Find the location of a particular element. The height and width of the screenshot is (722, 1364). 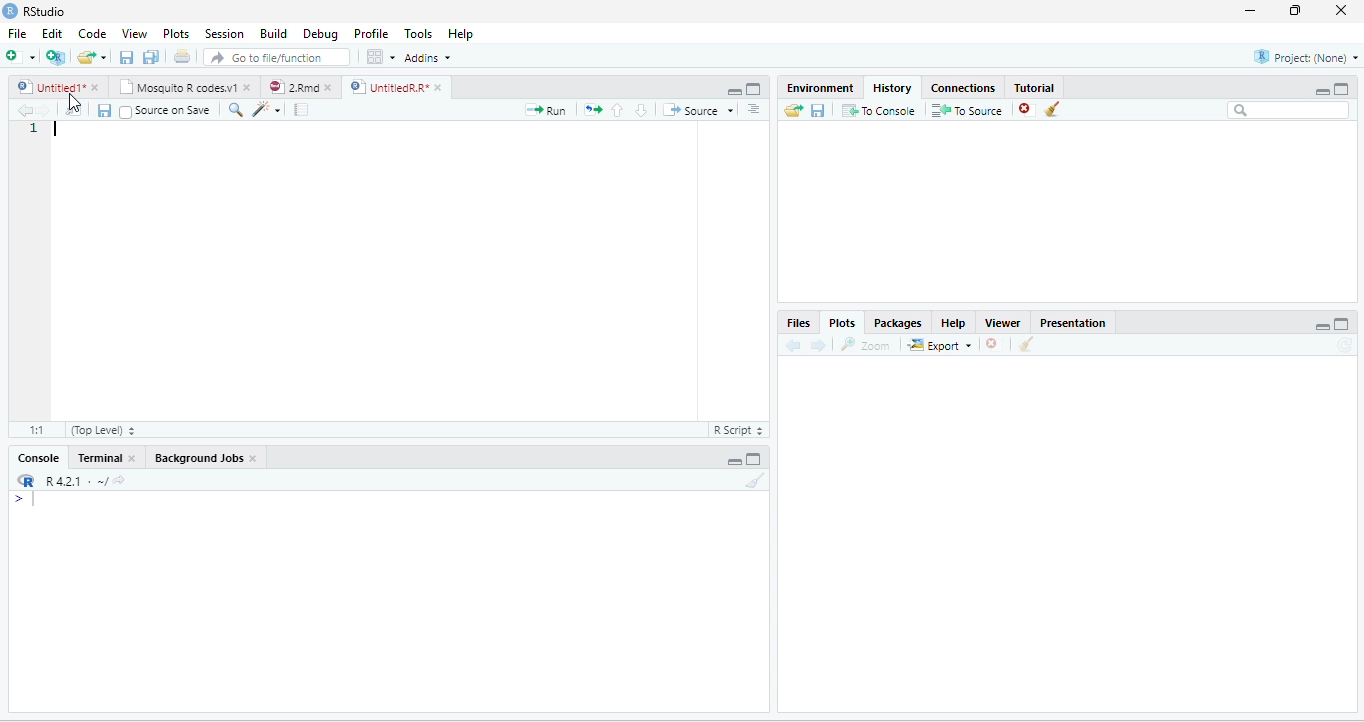

Open an existing file is located at coordinates (86, 57).